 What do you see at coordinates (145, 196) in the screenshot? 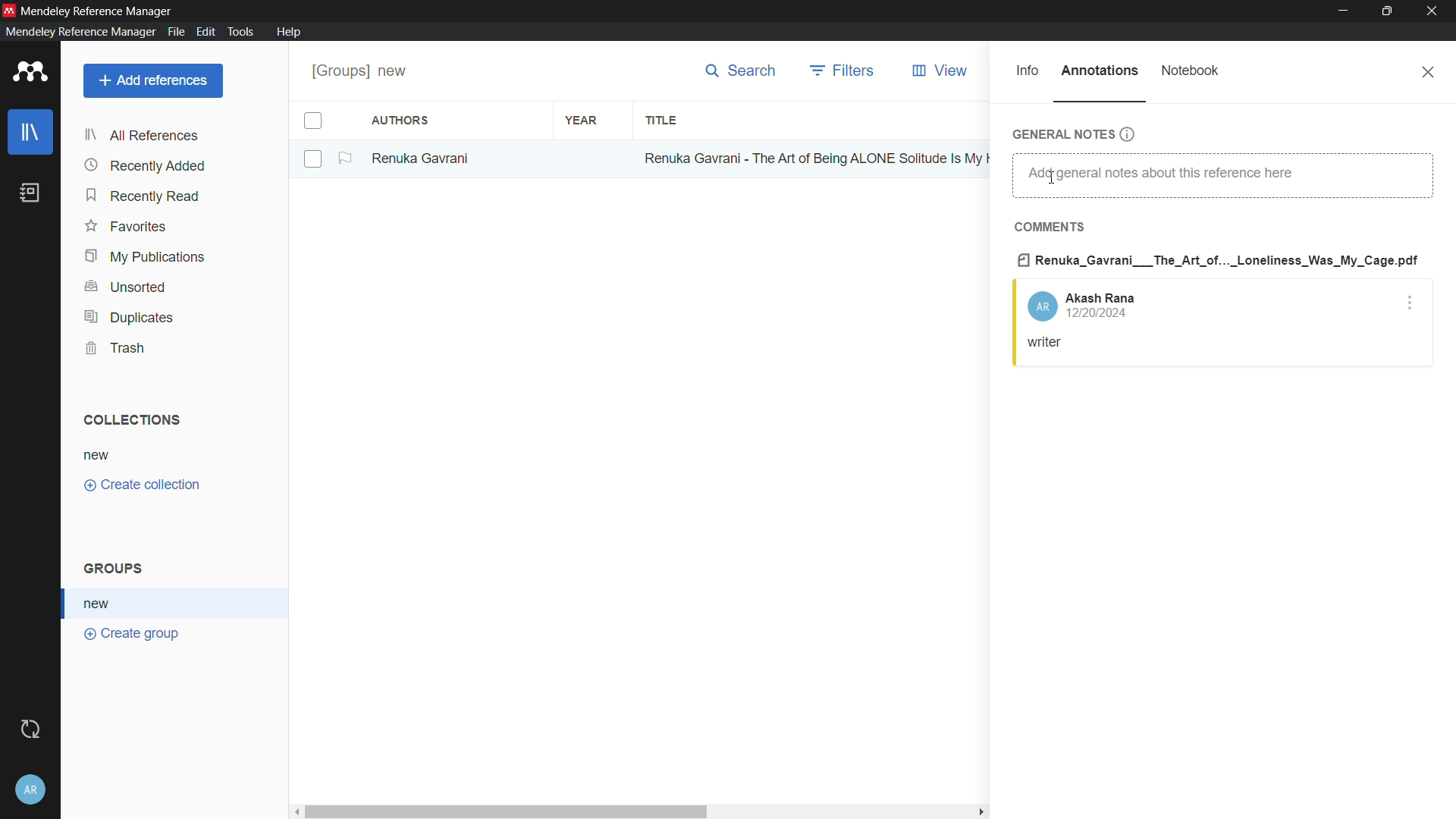
I see `recently read` at bounding box center [145, 196].